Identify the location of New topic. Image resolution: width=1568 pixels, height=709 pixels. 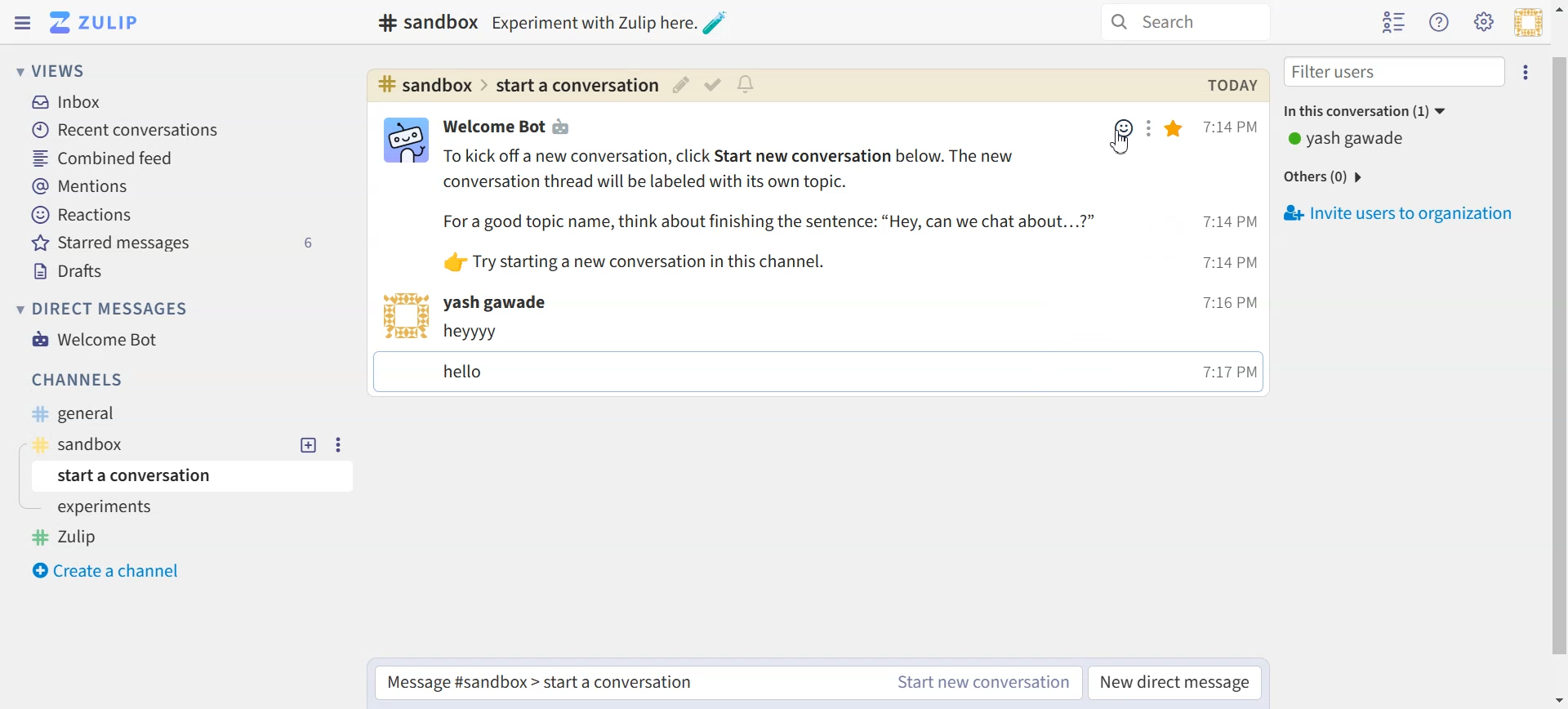
(310, 445).